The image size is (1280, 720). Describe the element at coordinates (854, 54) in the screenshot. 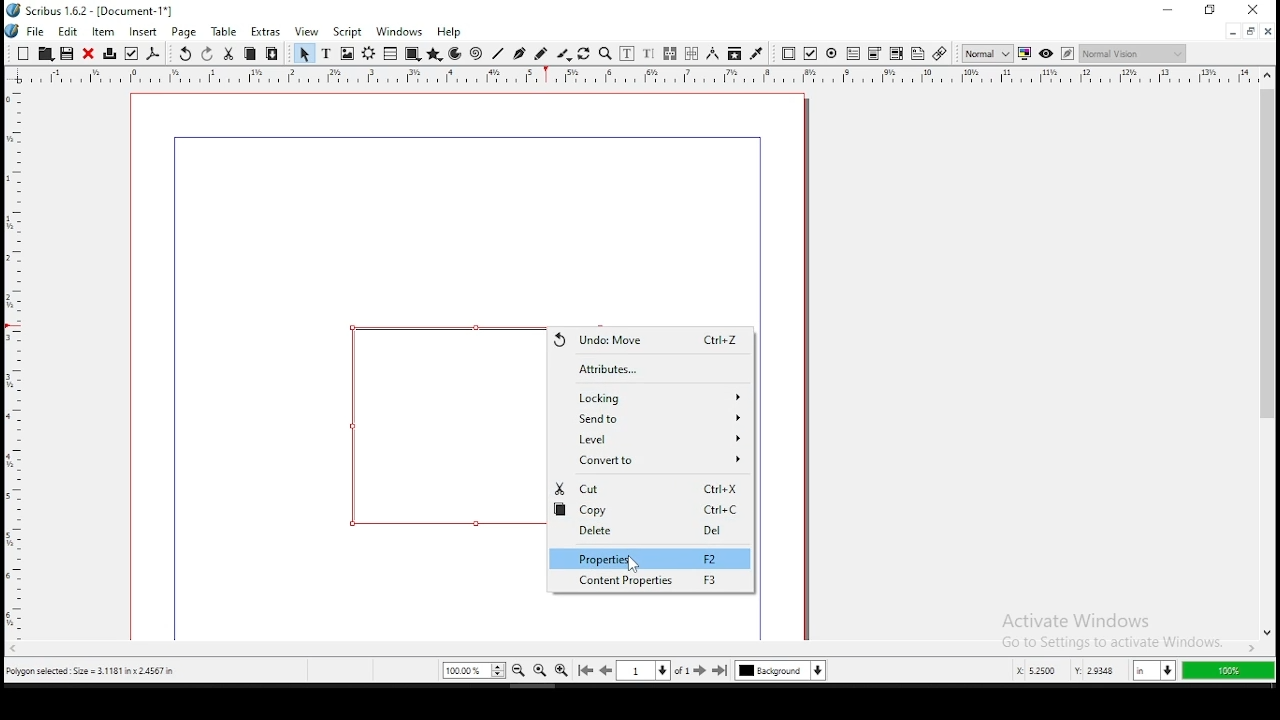

I see `pdf text field` at that location.